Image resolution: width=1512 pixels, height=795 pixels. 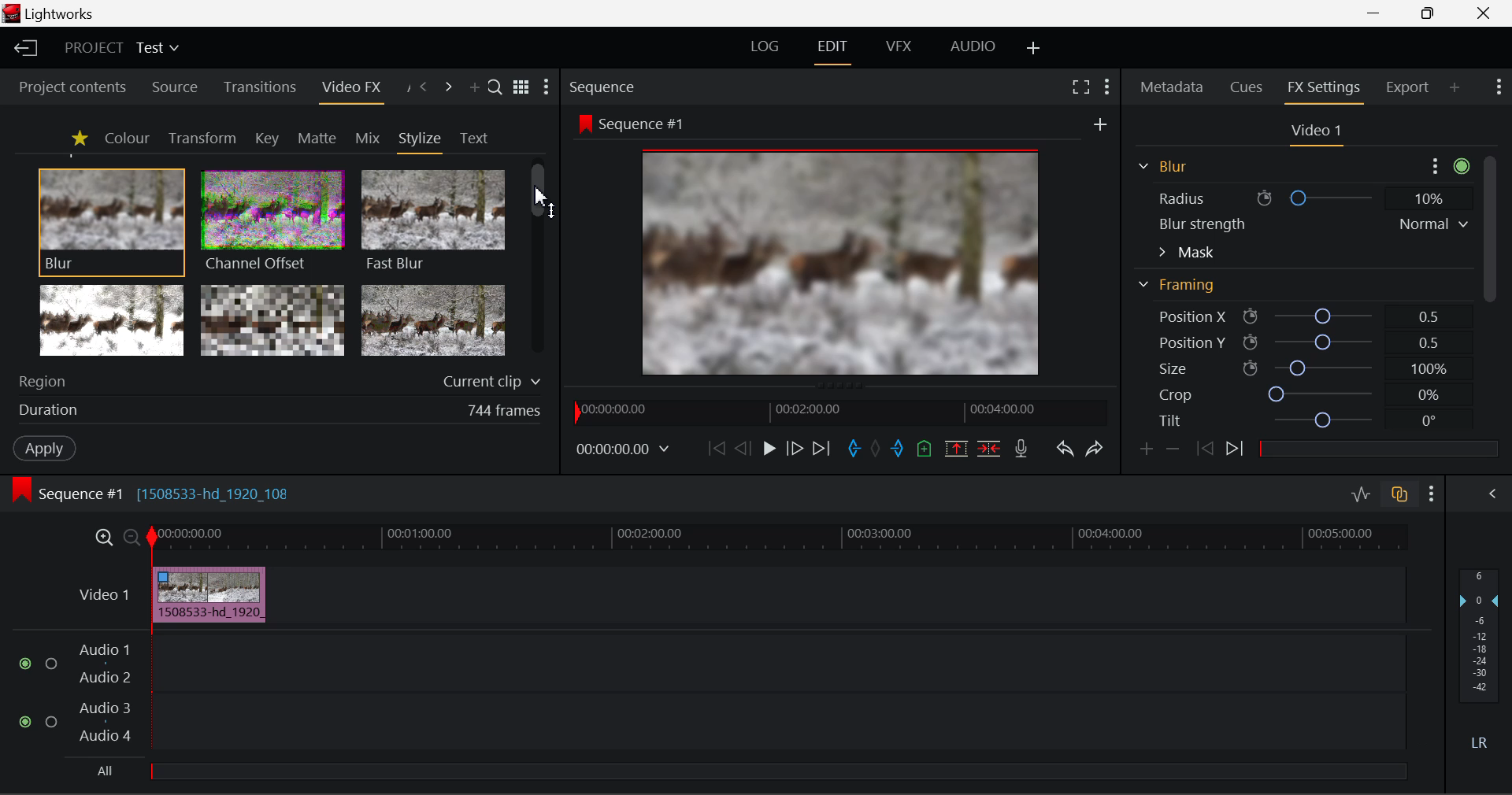 What do you see at coordinates (818, 246) in the screenshot?
I see `Effect Visible in Preview` at bounding box center [818, 246].